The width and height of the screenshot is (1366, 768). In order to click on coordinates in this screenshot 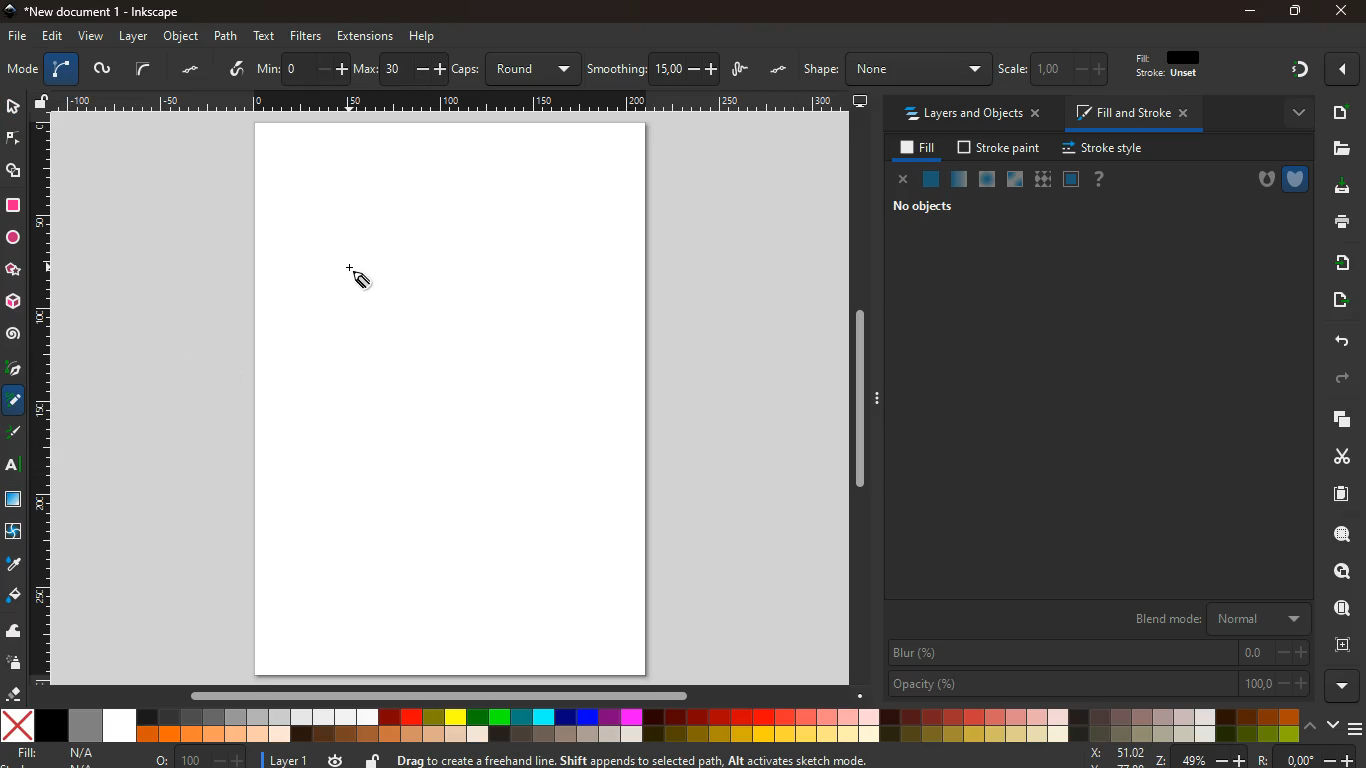, I will do `click(582, 69)`.